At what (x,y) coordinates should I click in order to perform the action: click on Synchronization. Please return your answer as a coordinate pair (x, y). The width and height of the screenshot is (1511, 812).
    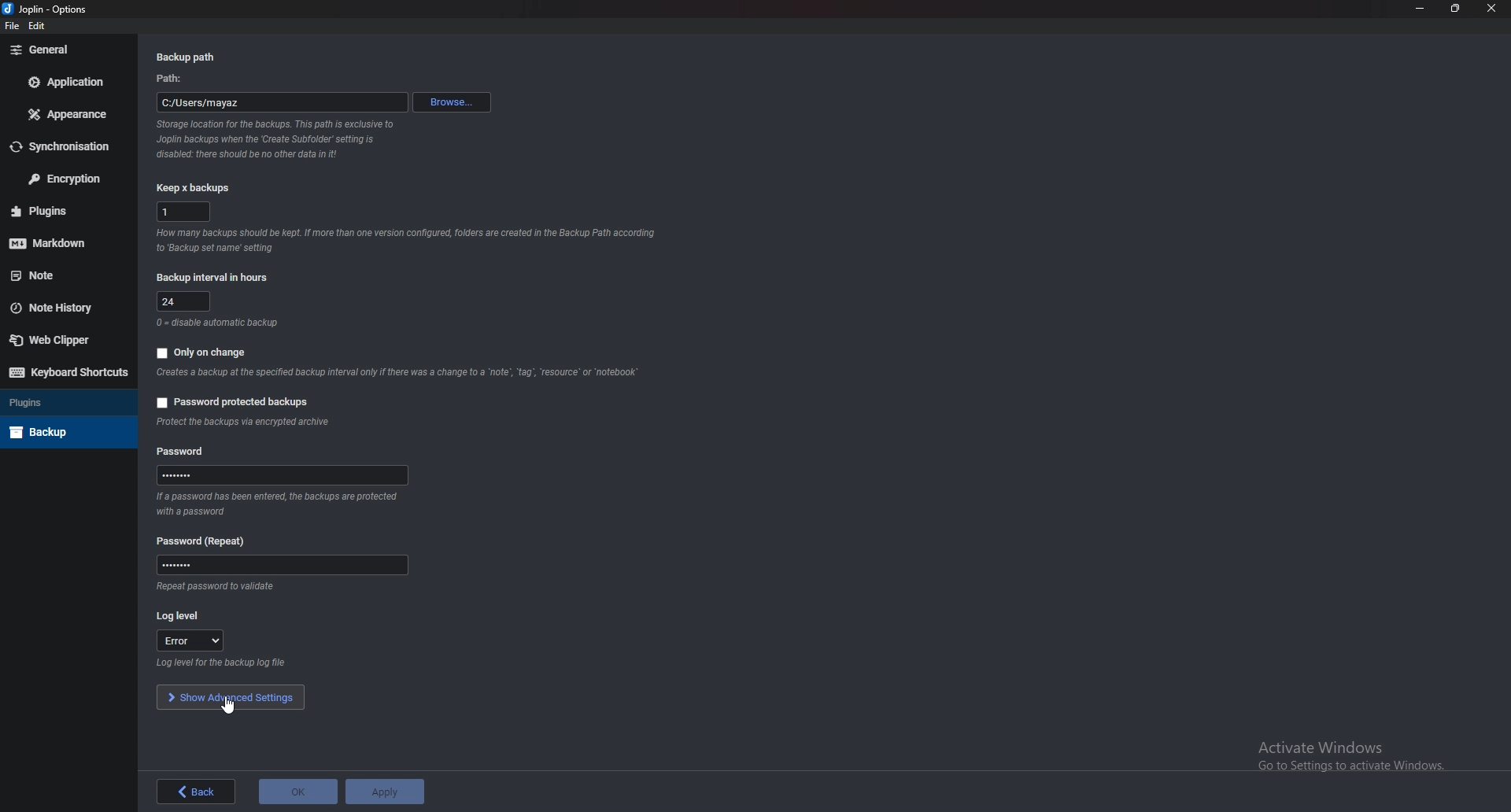
    Looking at the image, I should click on (68, 146).